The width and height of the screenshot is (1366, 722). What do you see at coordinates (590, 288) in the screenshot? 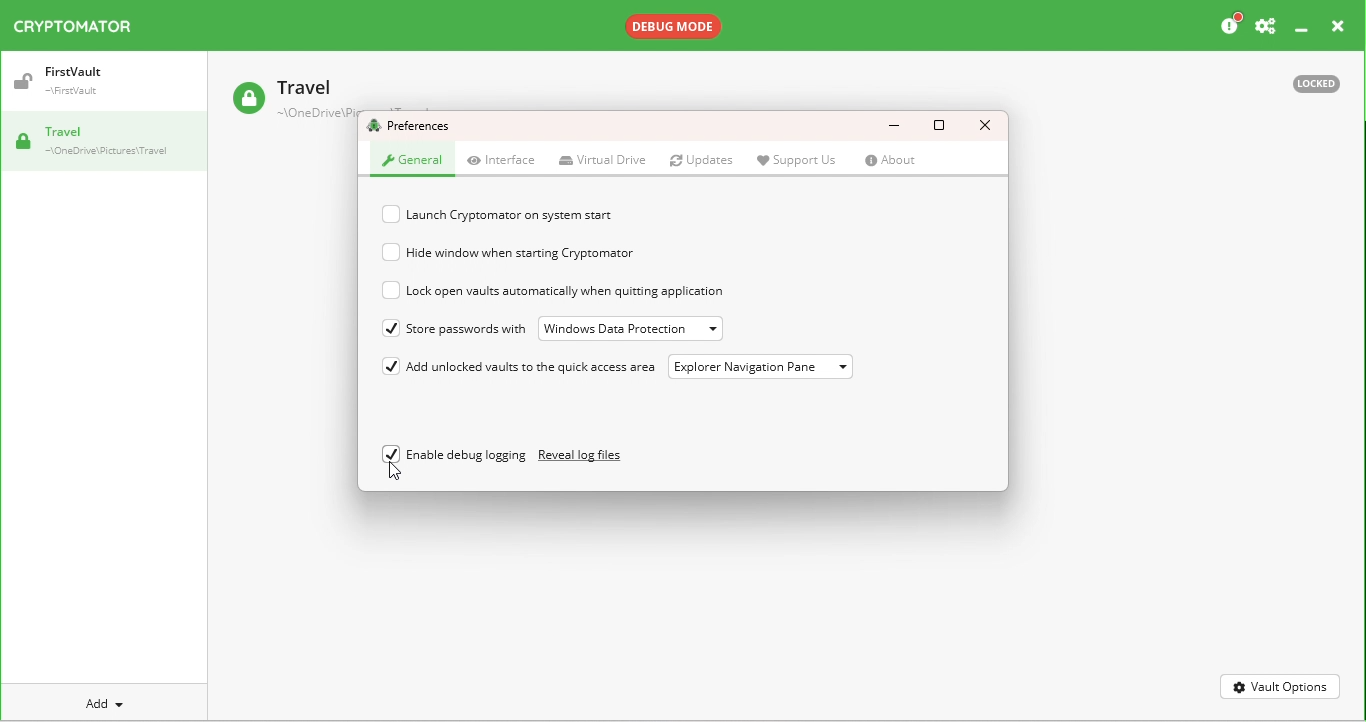
I see `Lock open vaults automatically when quitting application` at bounding box center [590, 288].